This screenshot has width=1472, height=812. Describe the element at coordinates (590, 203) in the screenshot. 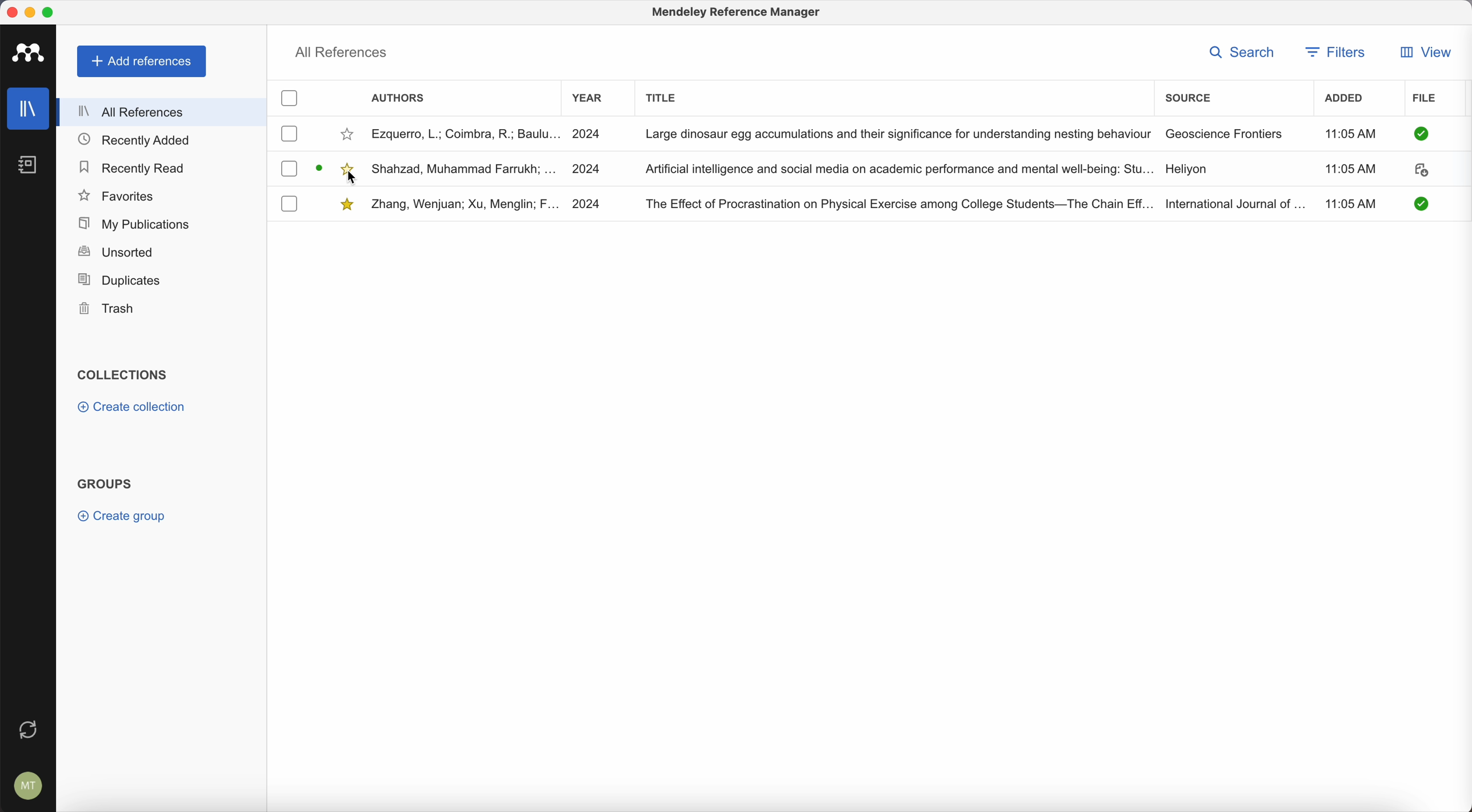

I see `2024` at that location.